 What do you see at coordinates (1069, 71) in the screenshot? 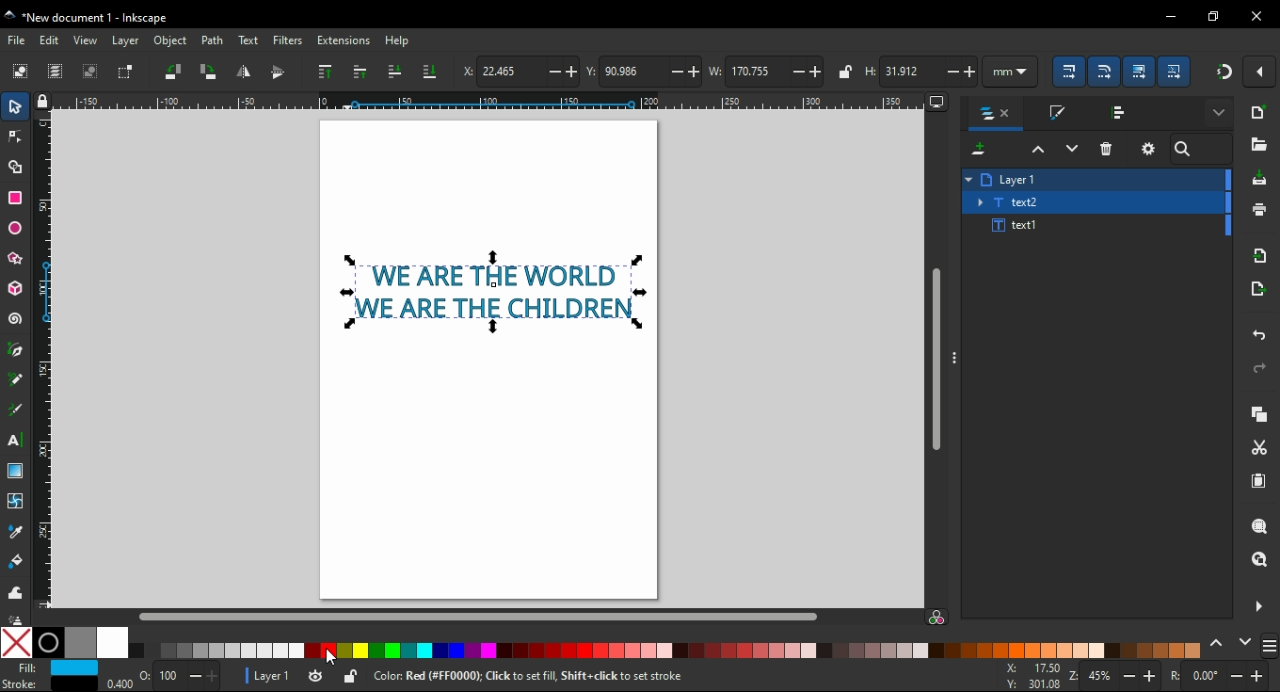
I see `scale stroke with object` at bounding box center [1069, 71].